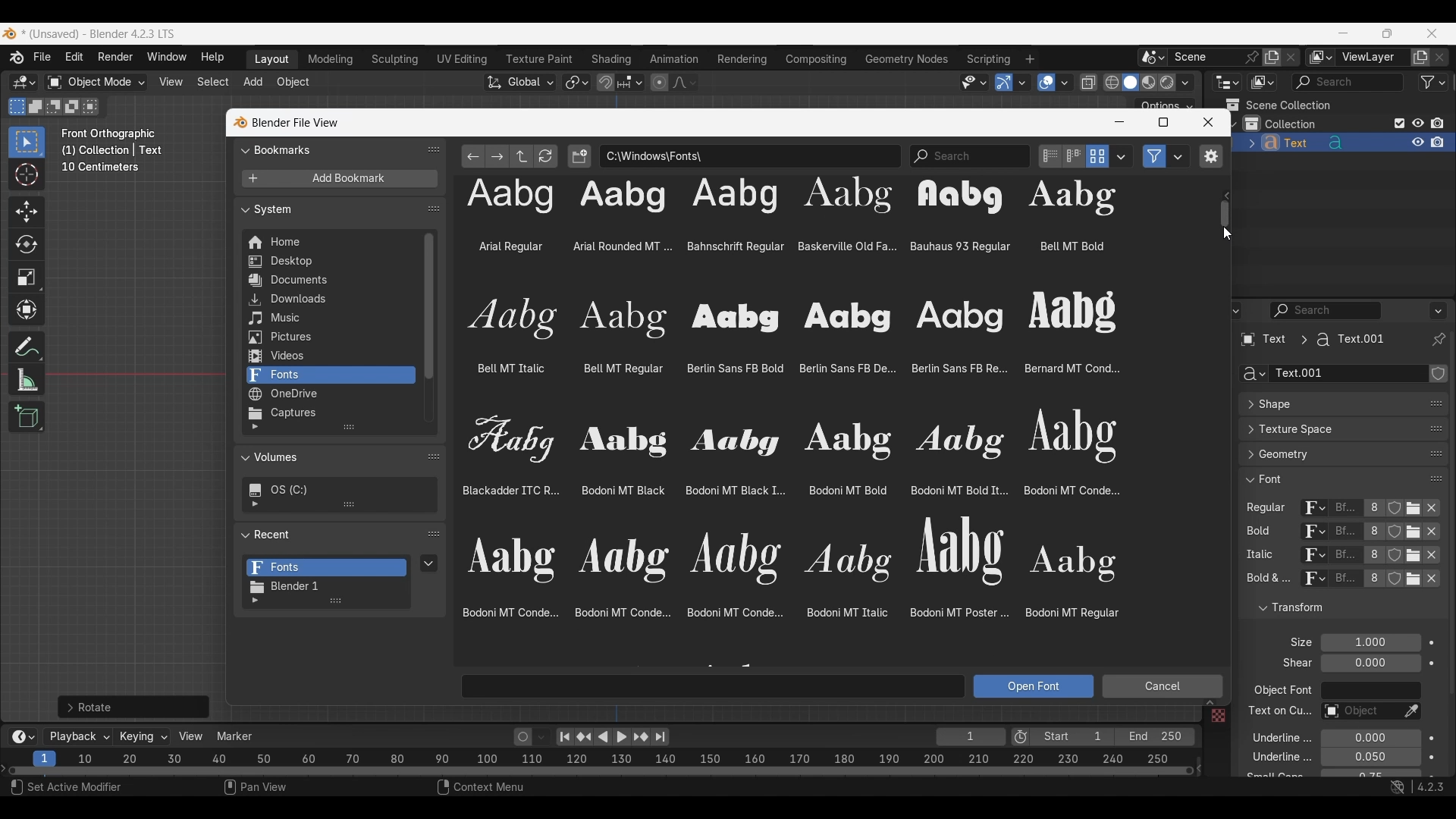 This screenshot has height=819, width=1456. I want to click on Display settings, so click(1122, 156).